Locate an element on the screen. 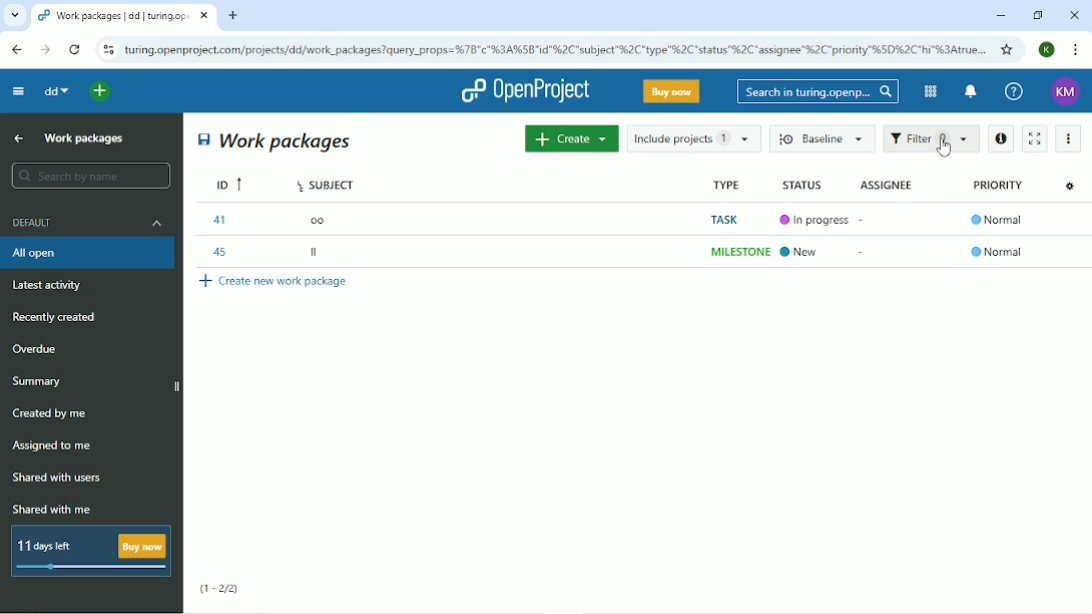 This screenshot has height=614, width=1092. Normal is located at coordinates (997, 218).